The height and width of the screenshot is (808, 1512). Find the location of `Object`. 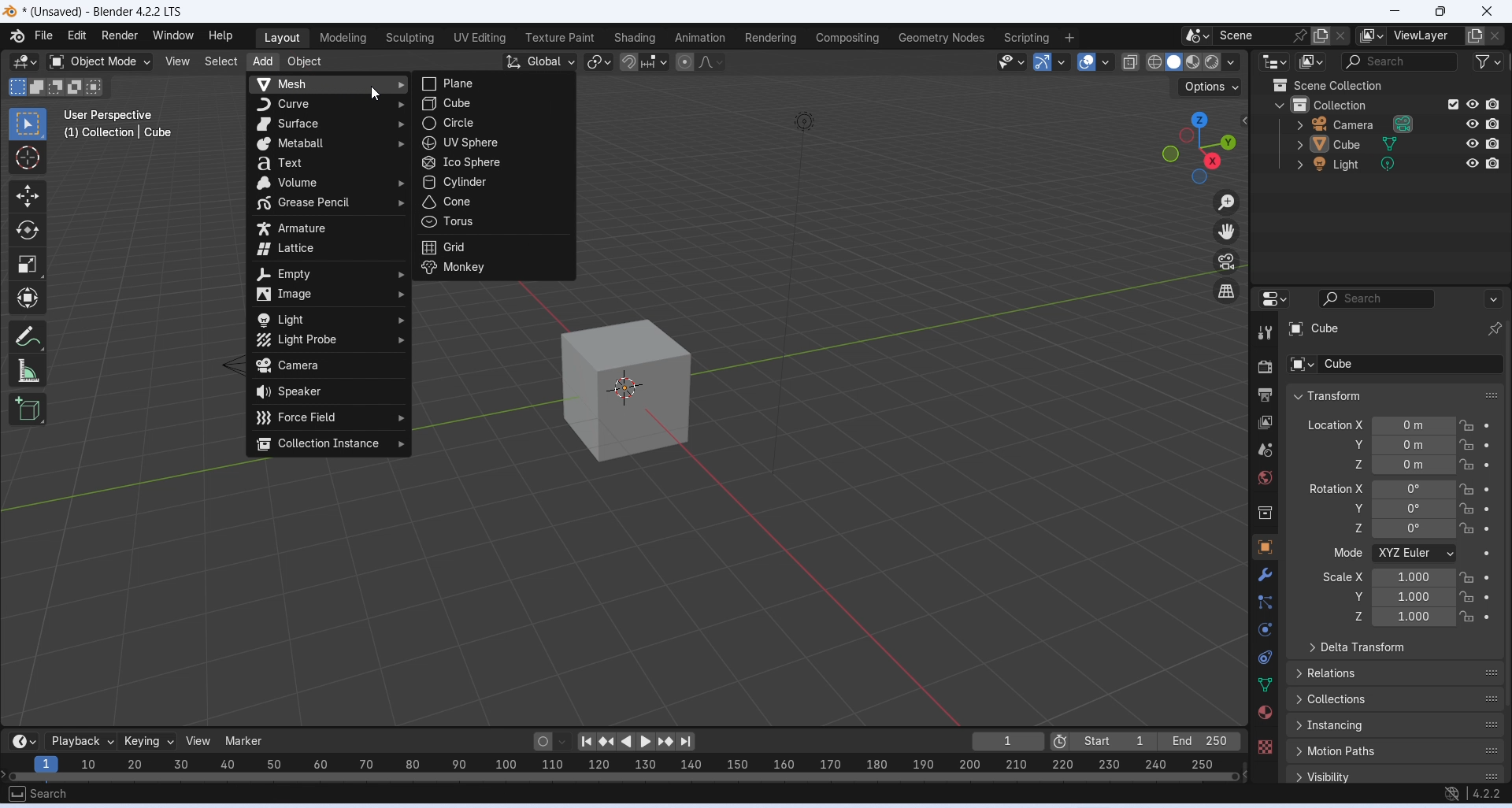

Object is located at coordinates (304, 62).